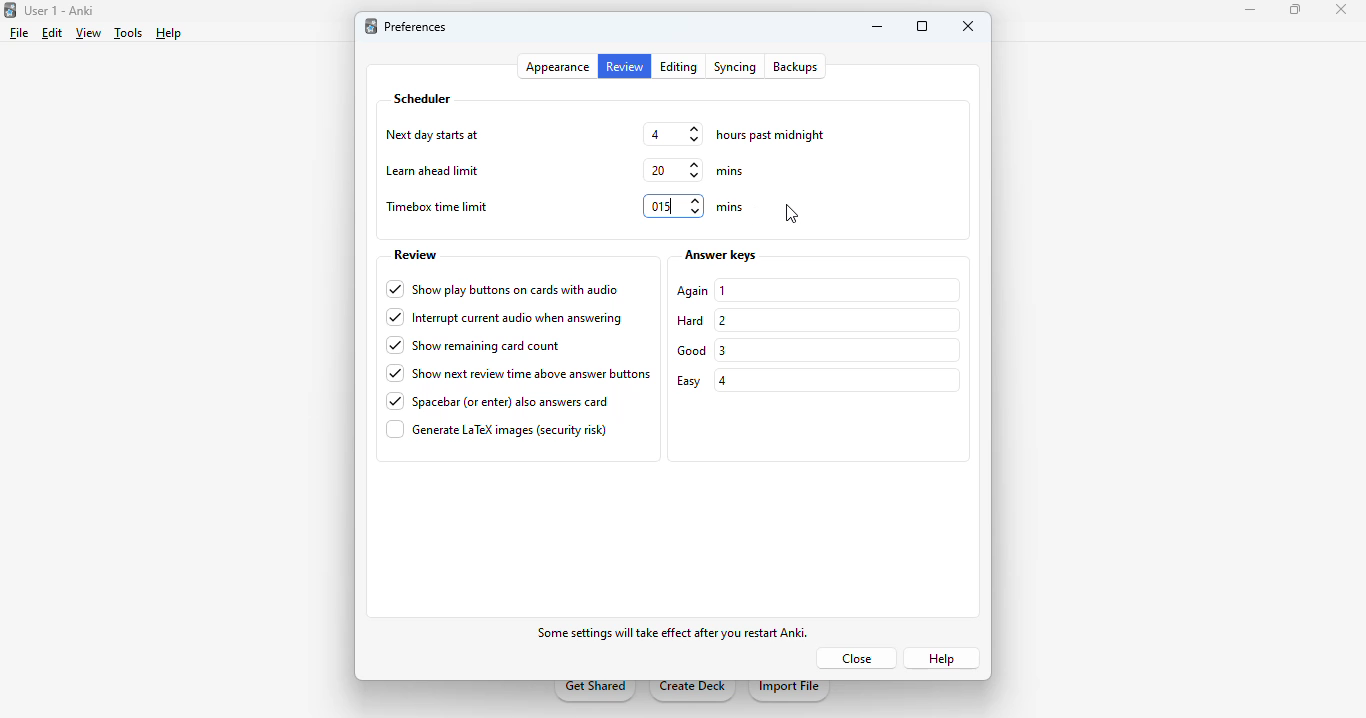  What do you see at coordinates (417, 26) in the screenshot?
I see `preferences` at bounding box center [417, 26].